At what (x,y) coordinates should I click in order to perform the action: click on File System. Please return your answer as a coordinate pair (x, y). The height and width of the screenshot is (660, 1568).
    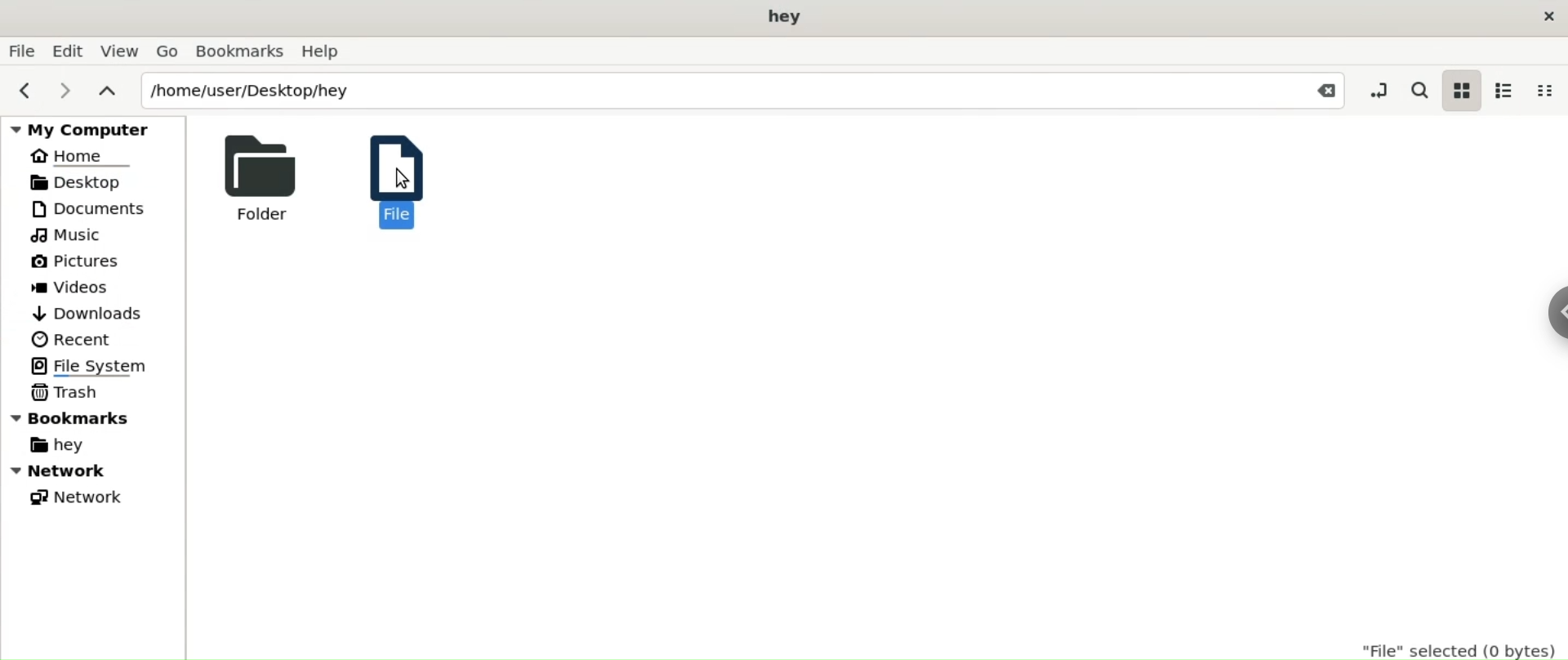
    Looking at the image, I should click on (100, 364).